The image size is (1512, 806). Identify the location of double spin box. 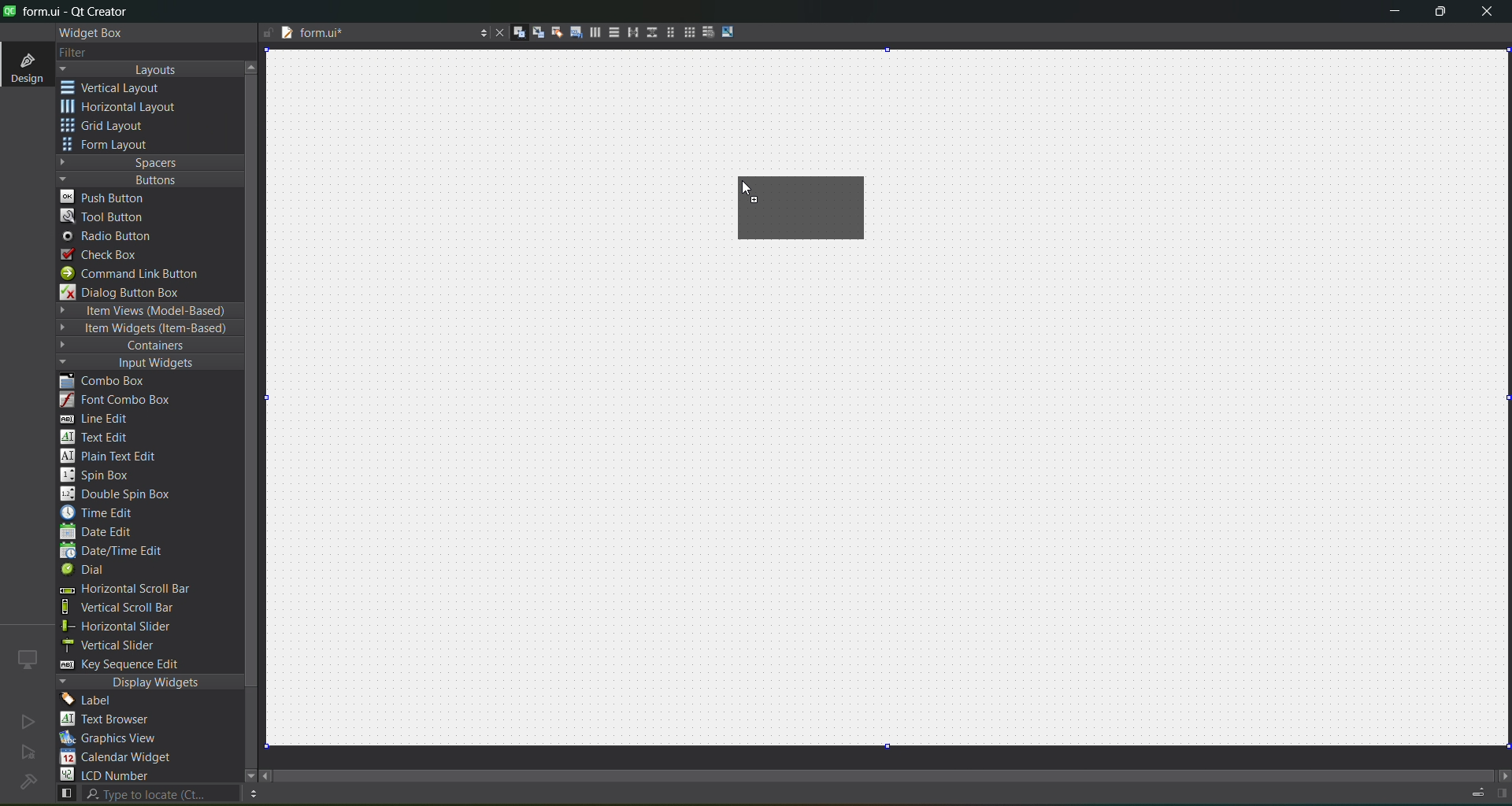
(127, 494).